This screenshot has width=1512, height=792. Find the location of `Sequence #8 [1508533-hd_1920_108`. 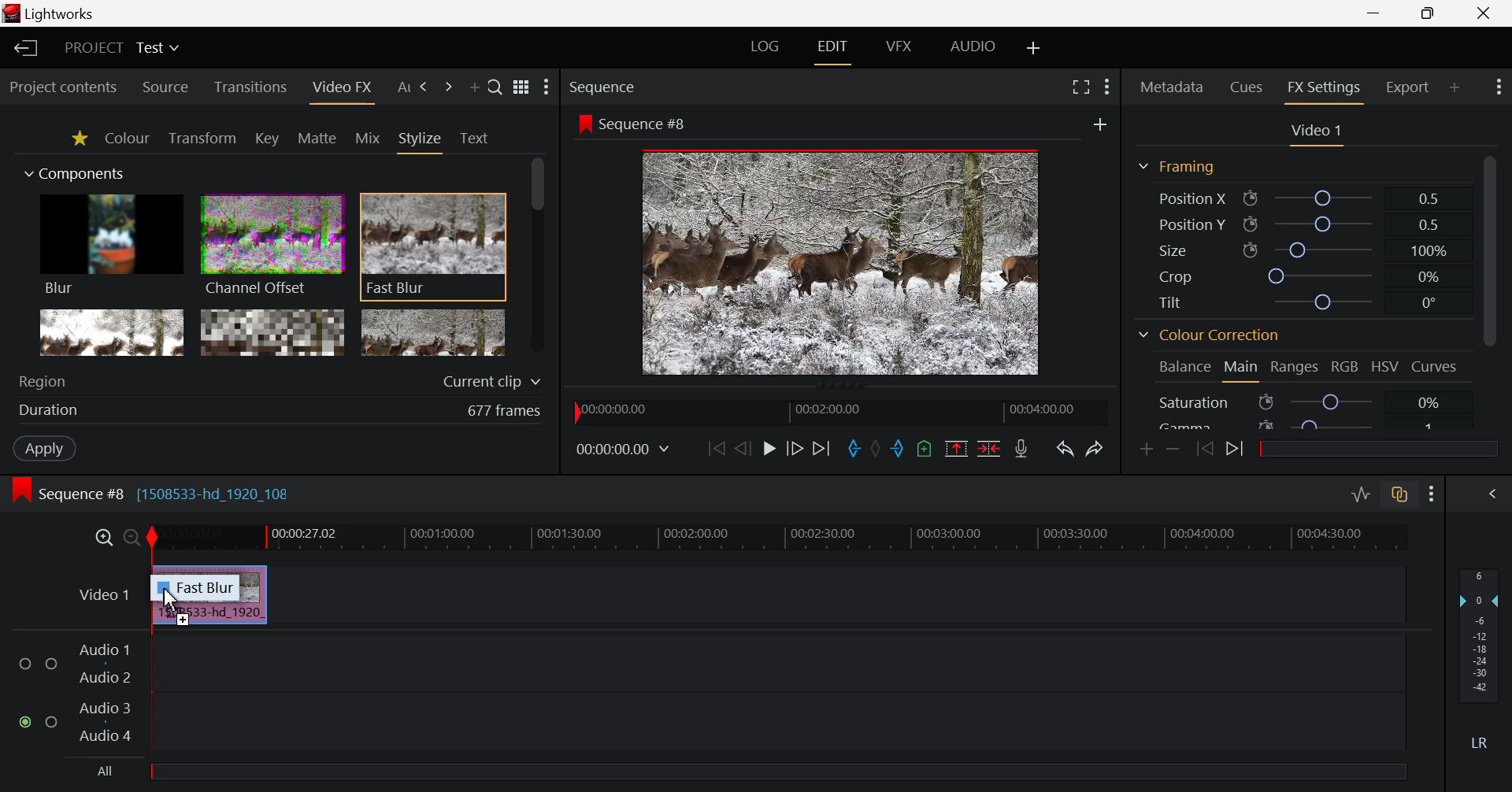

Sequence #8 [1508533-hd_1920_108 is located at coordinates (165, 495).